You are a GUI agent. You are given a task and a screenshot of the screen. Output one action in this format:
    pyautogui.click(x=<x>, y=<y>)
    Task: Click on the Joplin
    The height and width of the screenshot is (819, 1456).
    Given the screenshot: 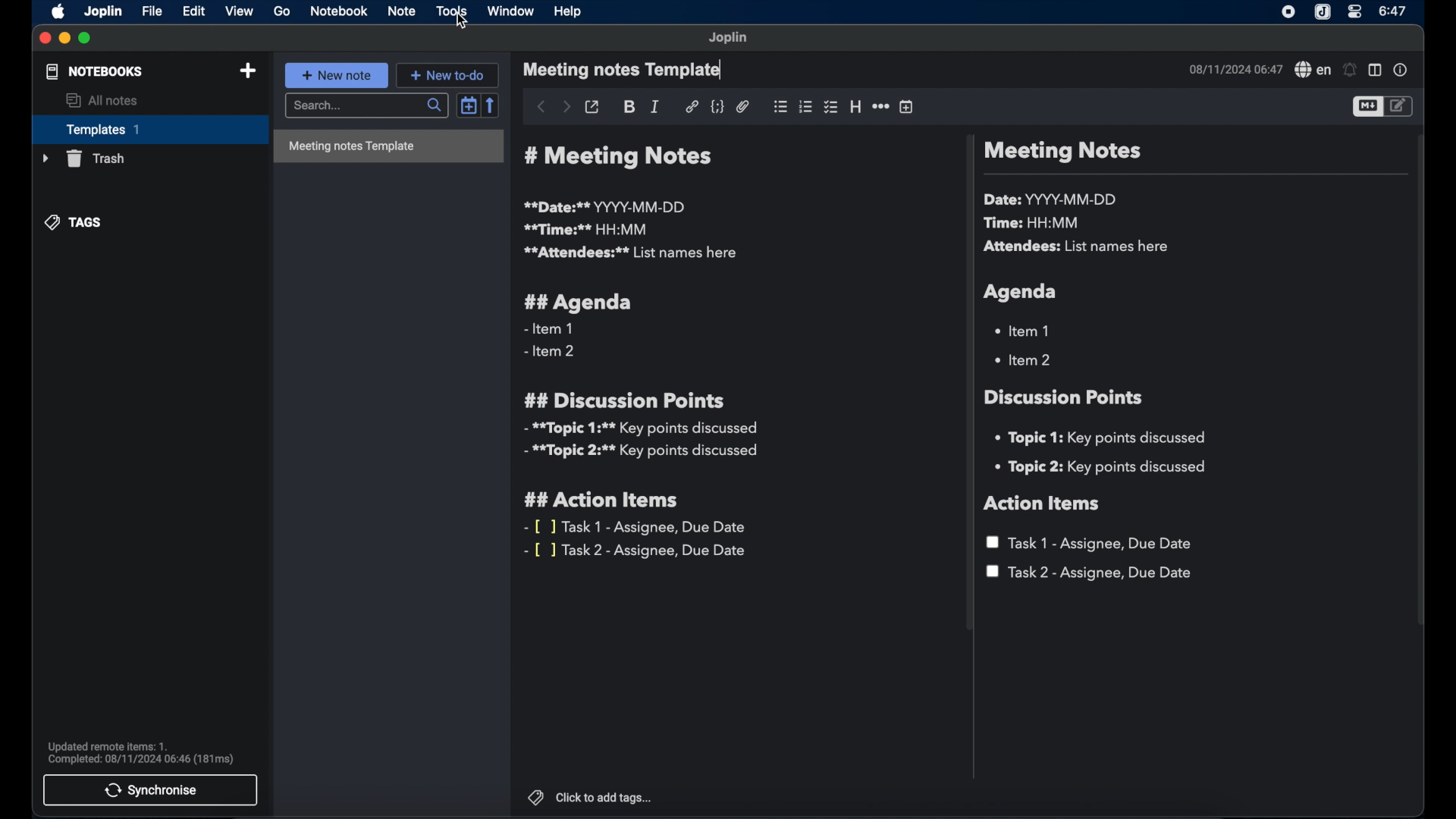 What is the action you would take?
    pyautogui.click(x=729, y=38)
    